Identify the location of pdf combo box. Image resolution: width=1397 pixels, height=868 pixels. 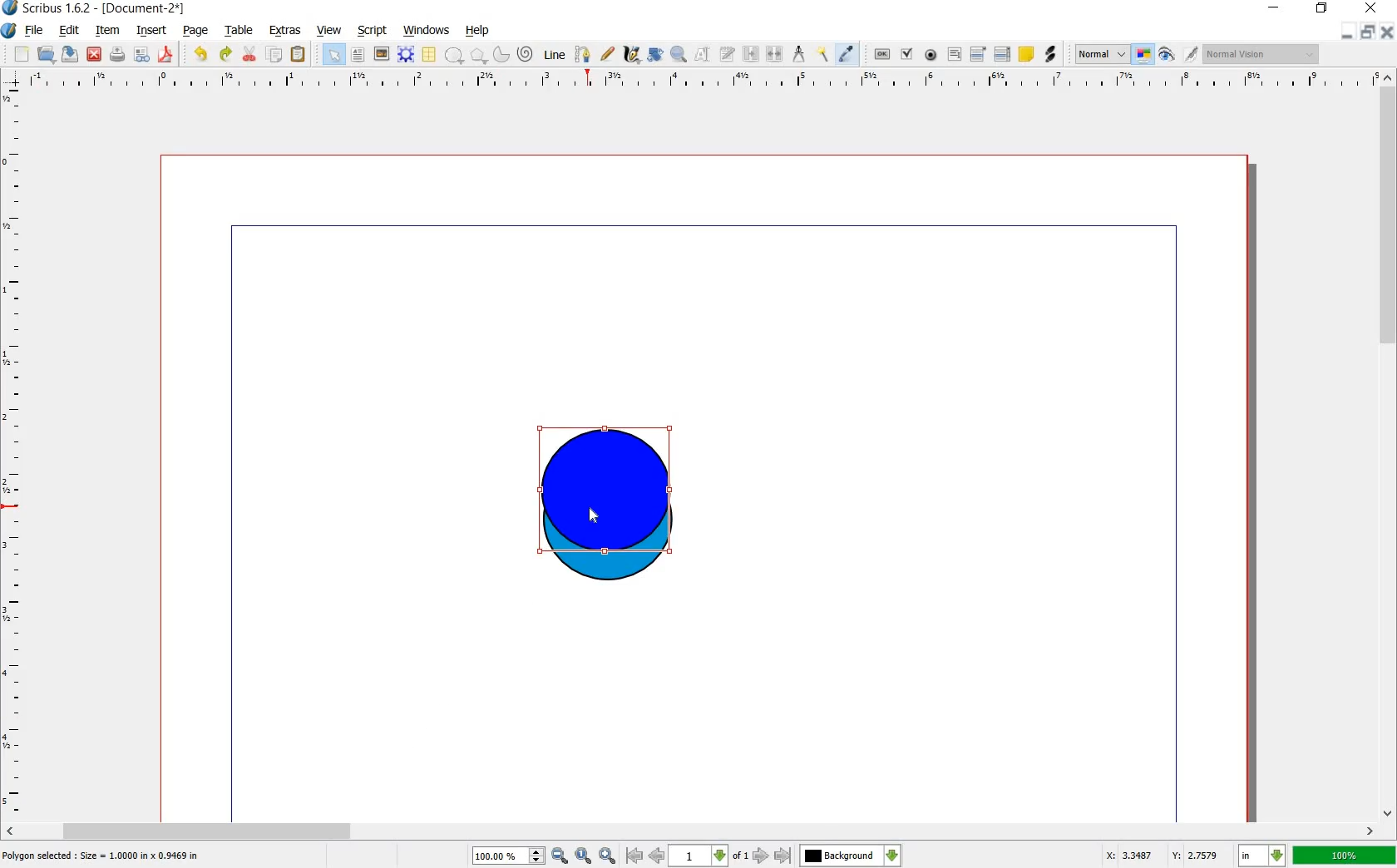
(977, 54).